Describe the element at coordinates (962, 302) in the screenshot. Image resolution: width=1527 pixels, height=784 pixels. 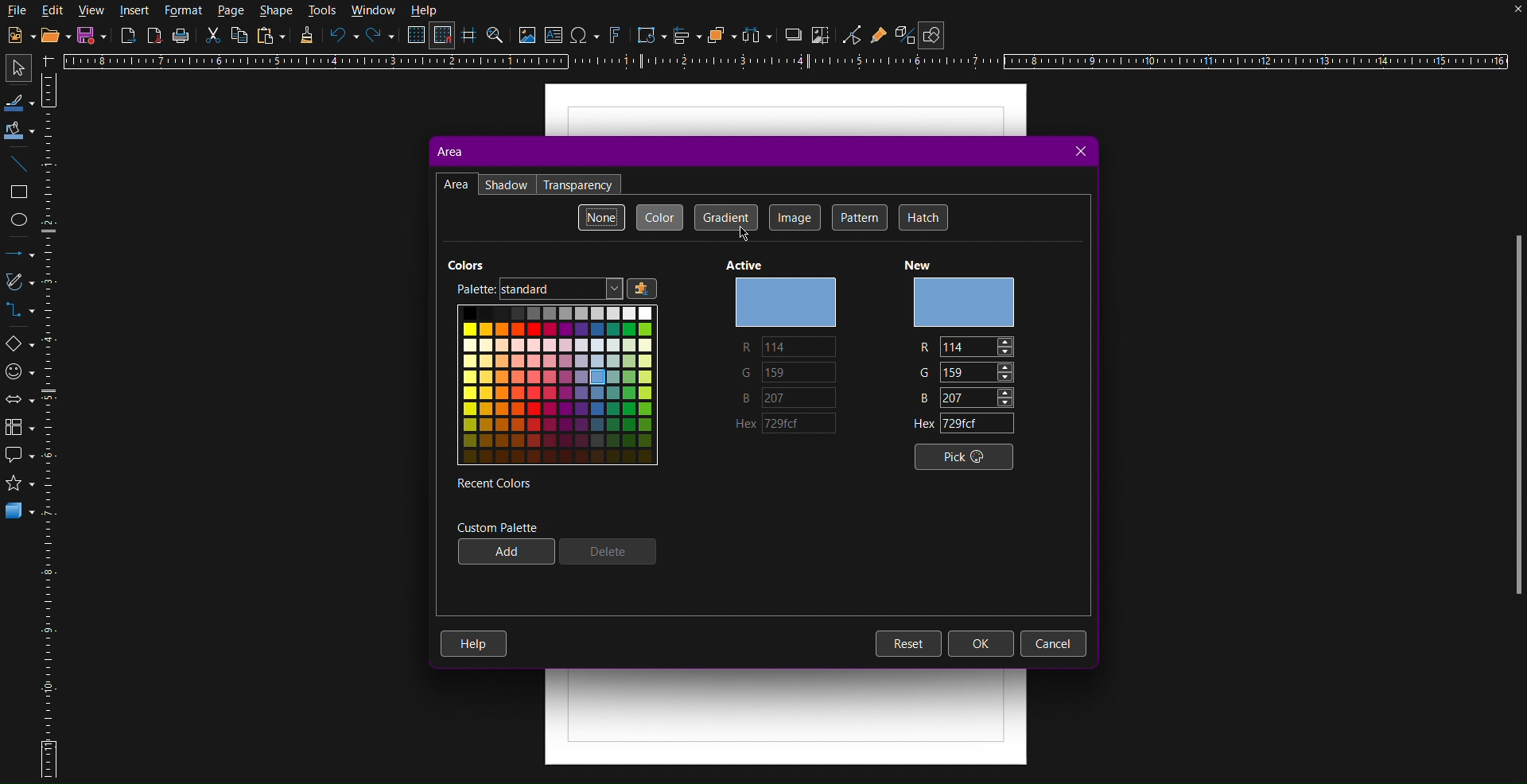
I see `New Color` at that location.